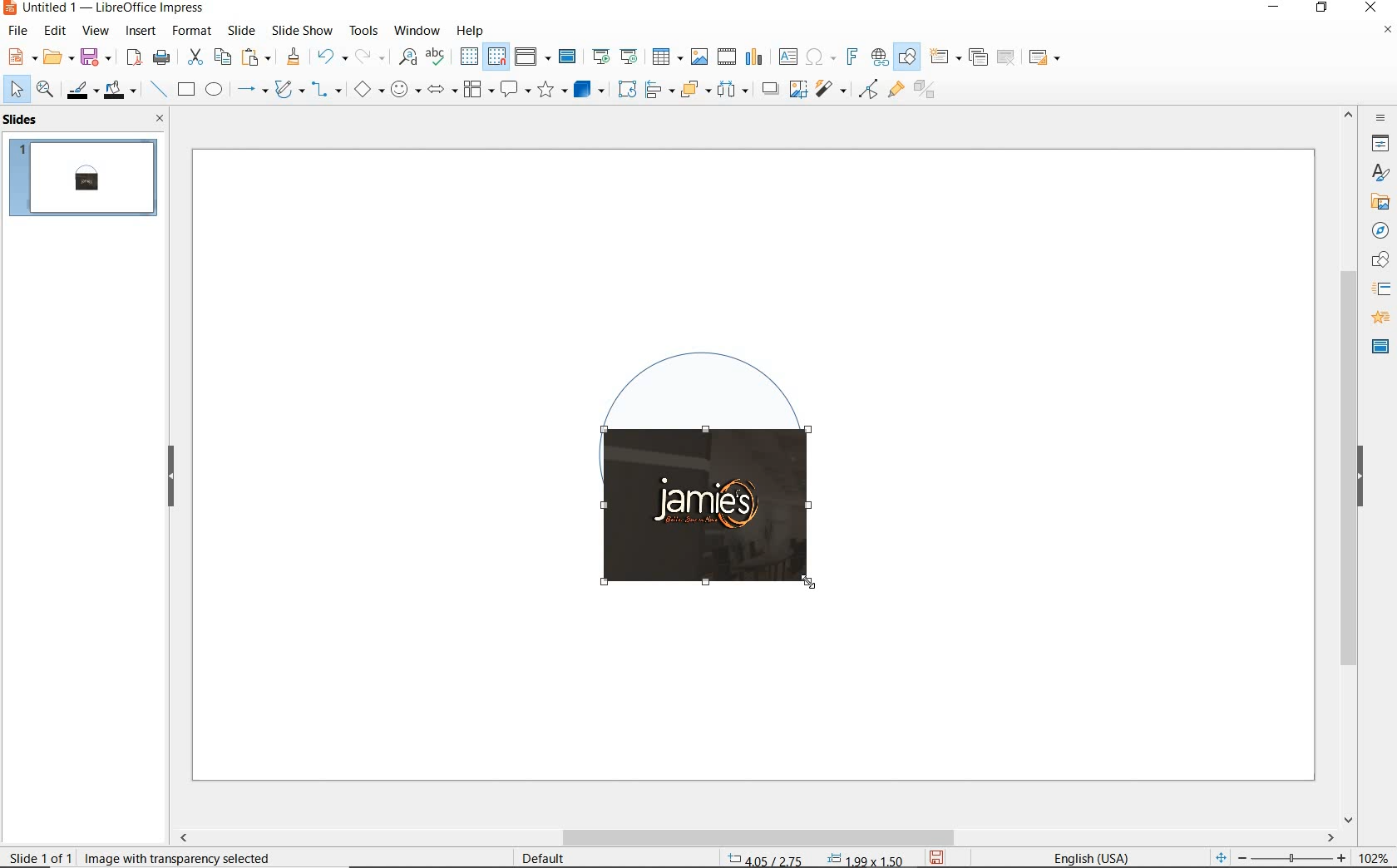 The height and width of the screenshot is (868, 1397). Describe the element at coordinates (551, 91) in the screenshot. I see `stars and banners` at that location.